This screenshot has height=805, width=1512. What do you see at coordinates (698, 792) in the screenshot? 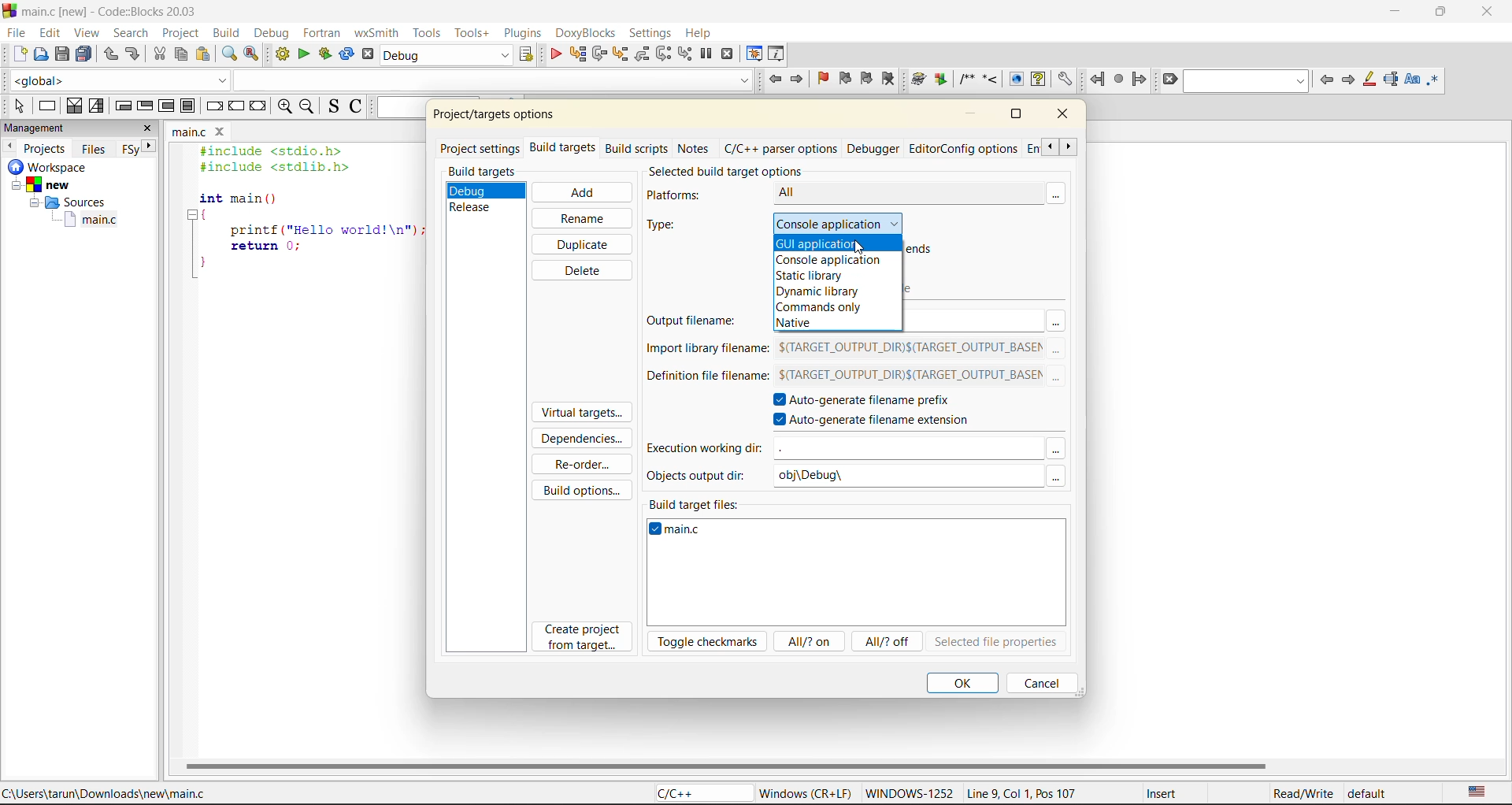
I see `C/C++` at bounding box center [698, 792].